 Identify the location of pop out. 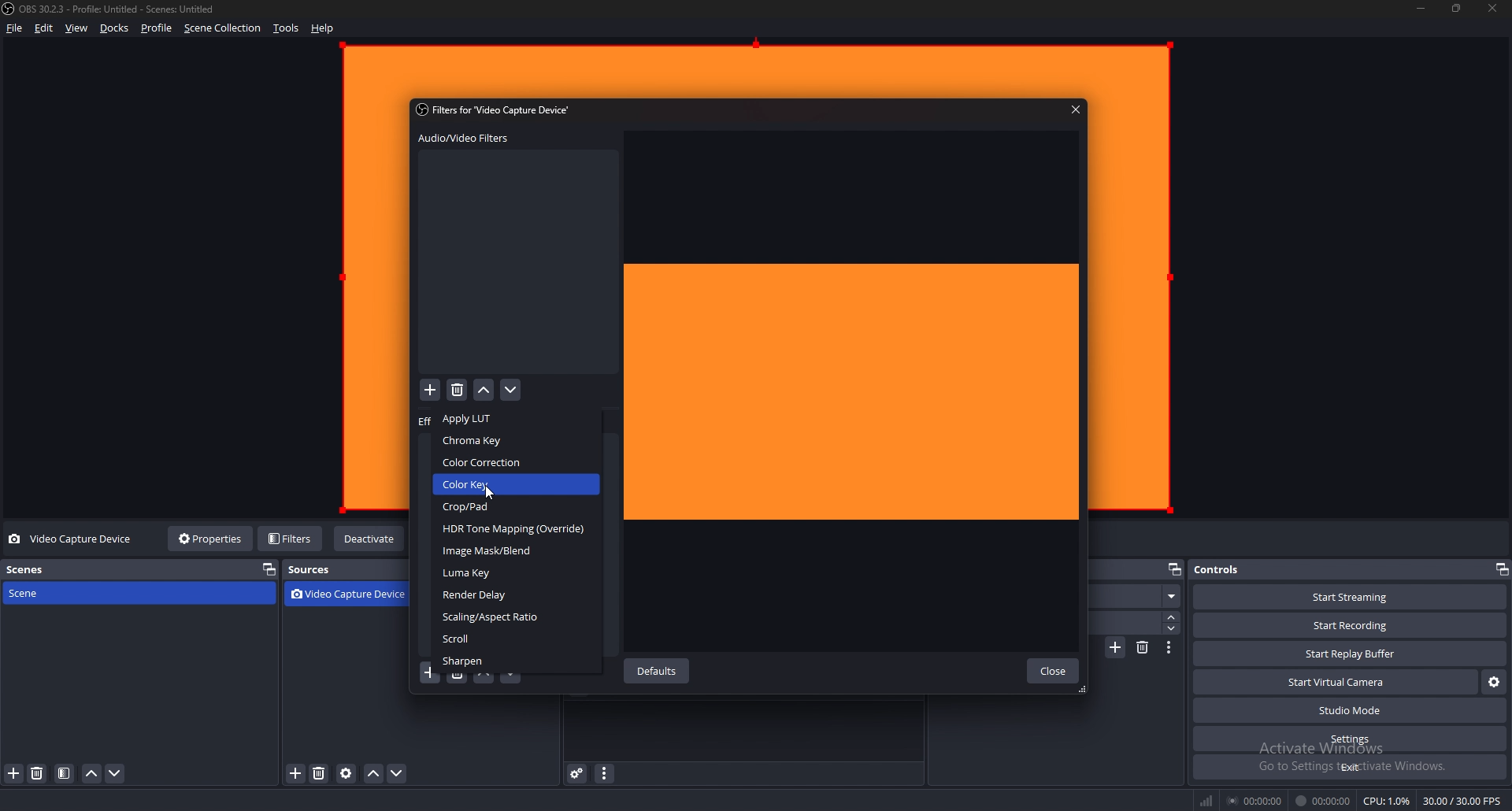
(1501, 569).